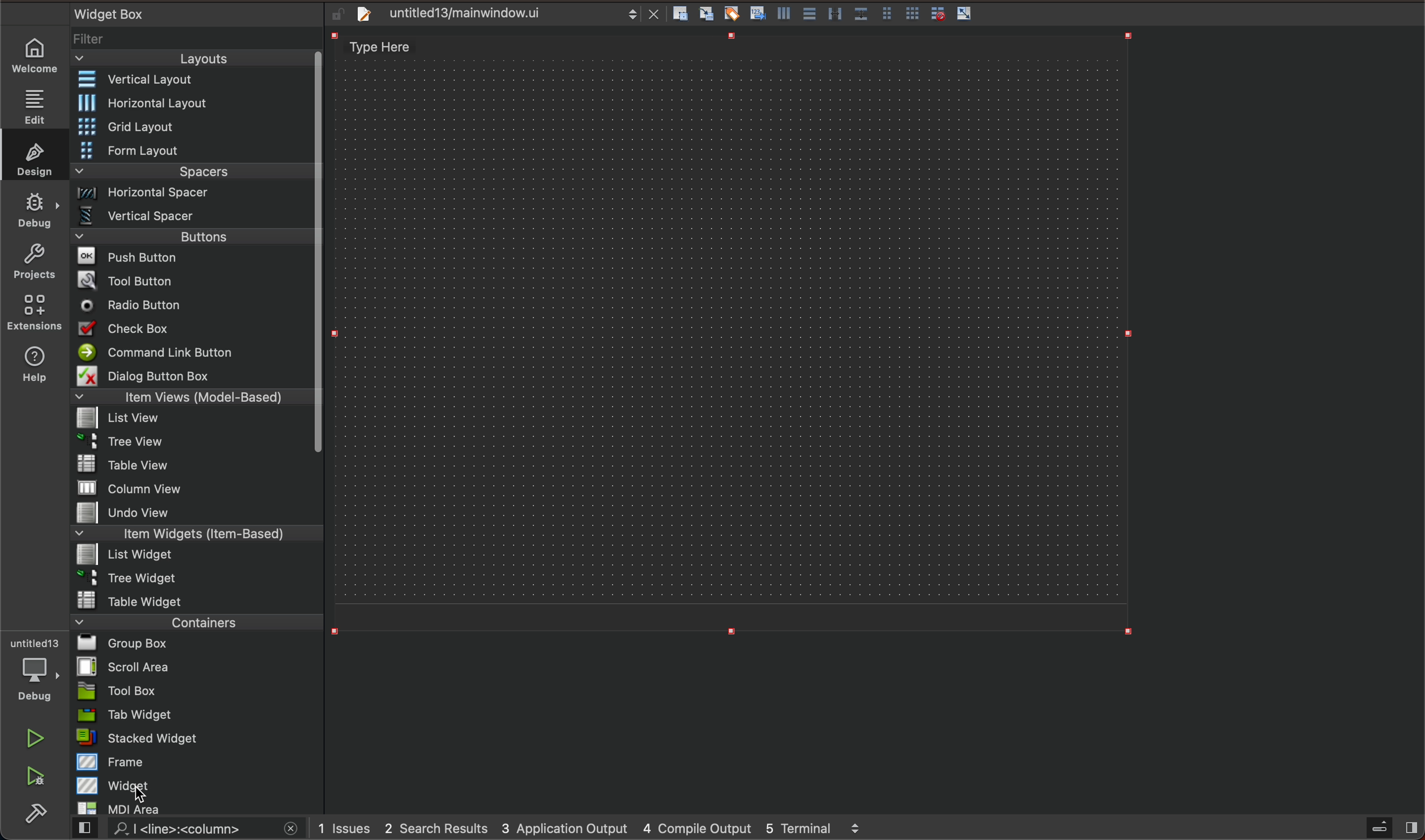  What do you see at coordinates (199, 644) in the screenshot?
I see `group box` at bounding box center [199, 644].